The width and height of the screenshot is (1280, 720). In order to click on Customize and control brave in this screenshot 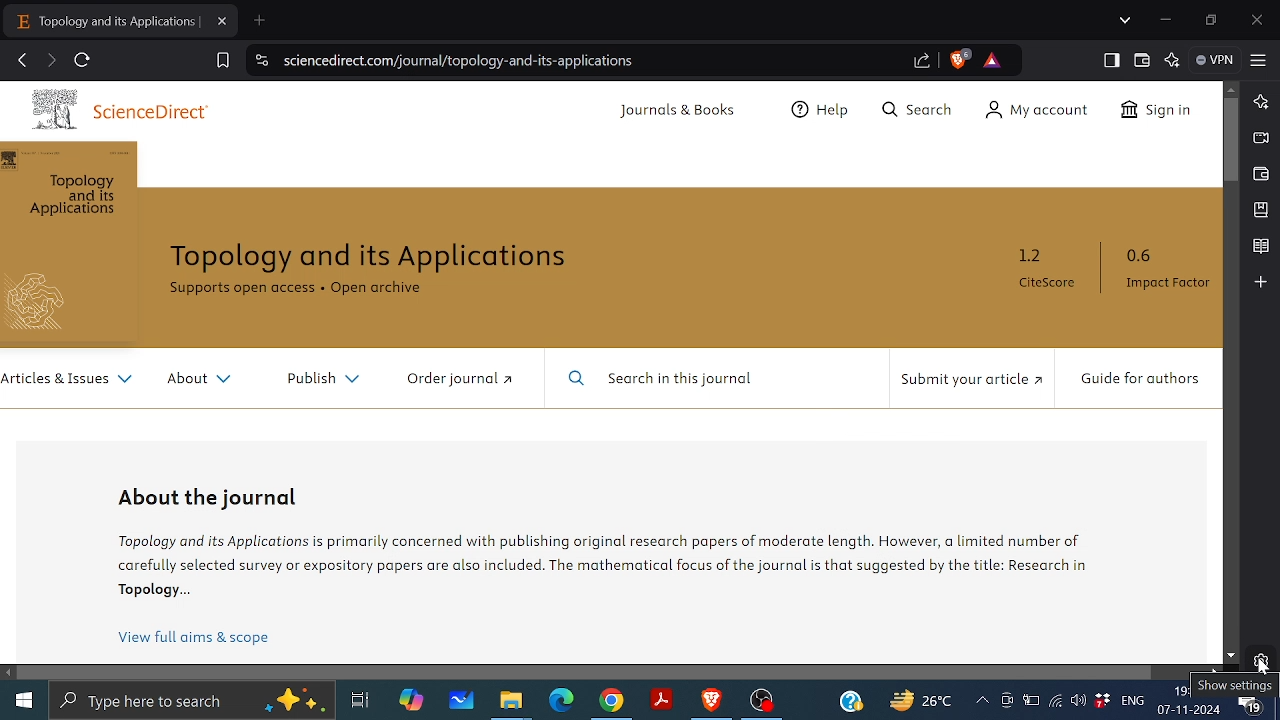, I will do `click(1260, 60)`.